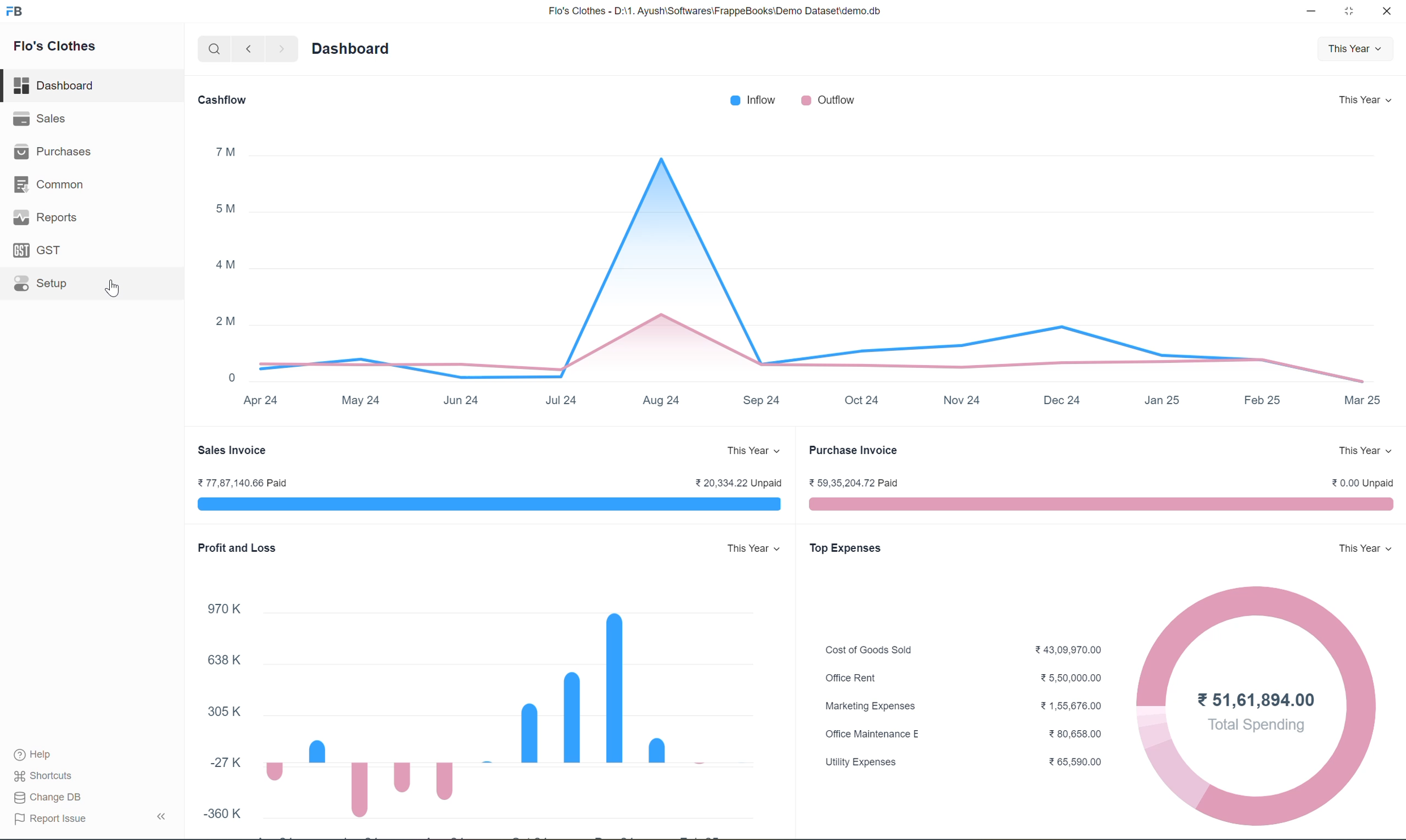 The image size is (1406, 840). What do you see at coordinates (961, 762) in the screenshot?
I see `Utility Expenses ¥ 65,590.00` at bounding box center [961, 762].